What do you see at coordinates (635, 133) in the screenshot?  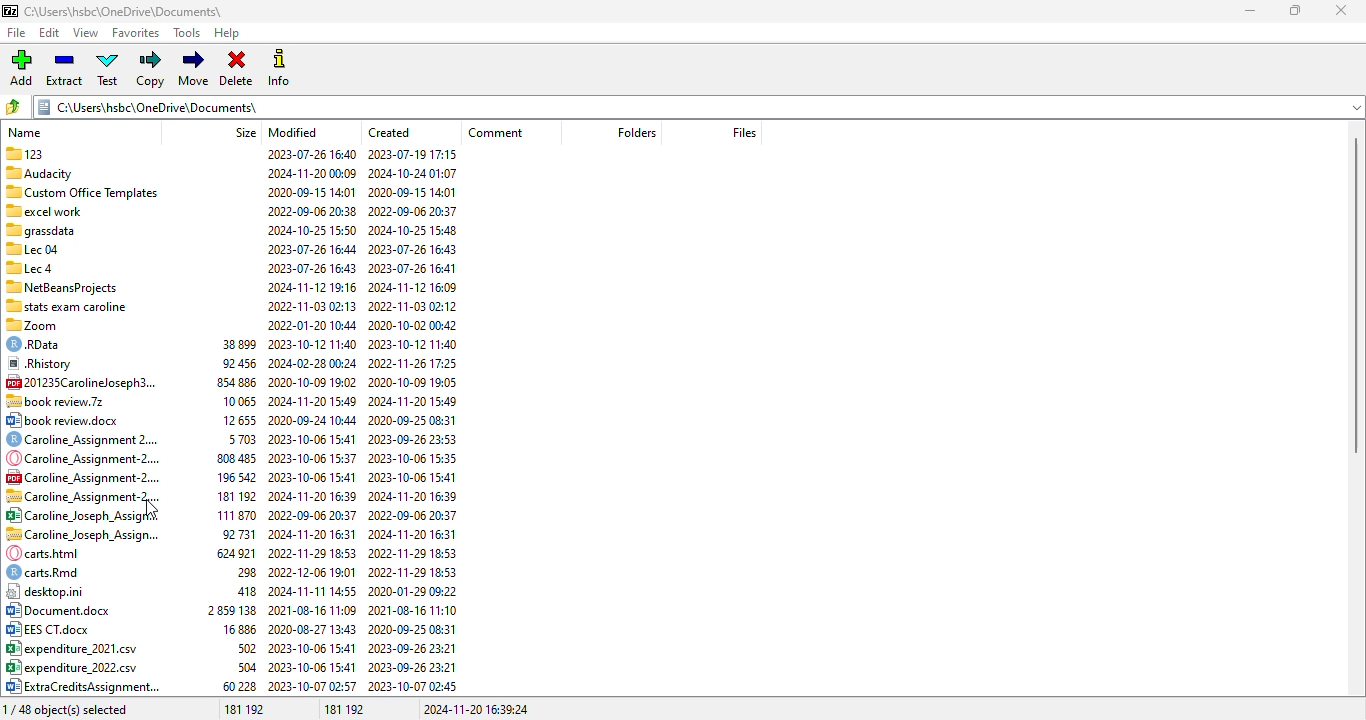 I see `folders` at bounding box center [635, 133].